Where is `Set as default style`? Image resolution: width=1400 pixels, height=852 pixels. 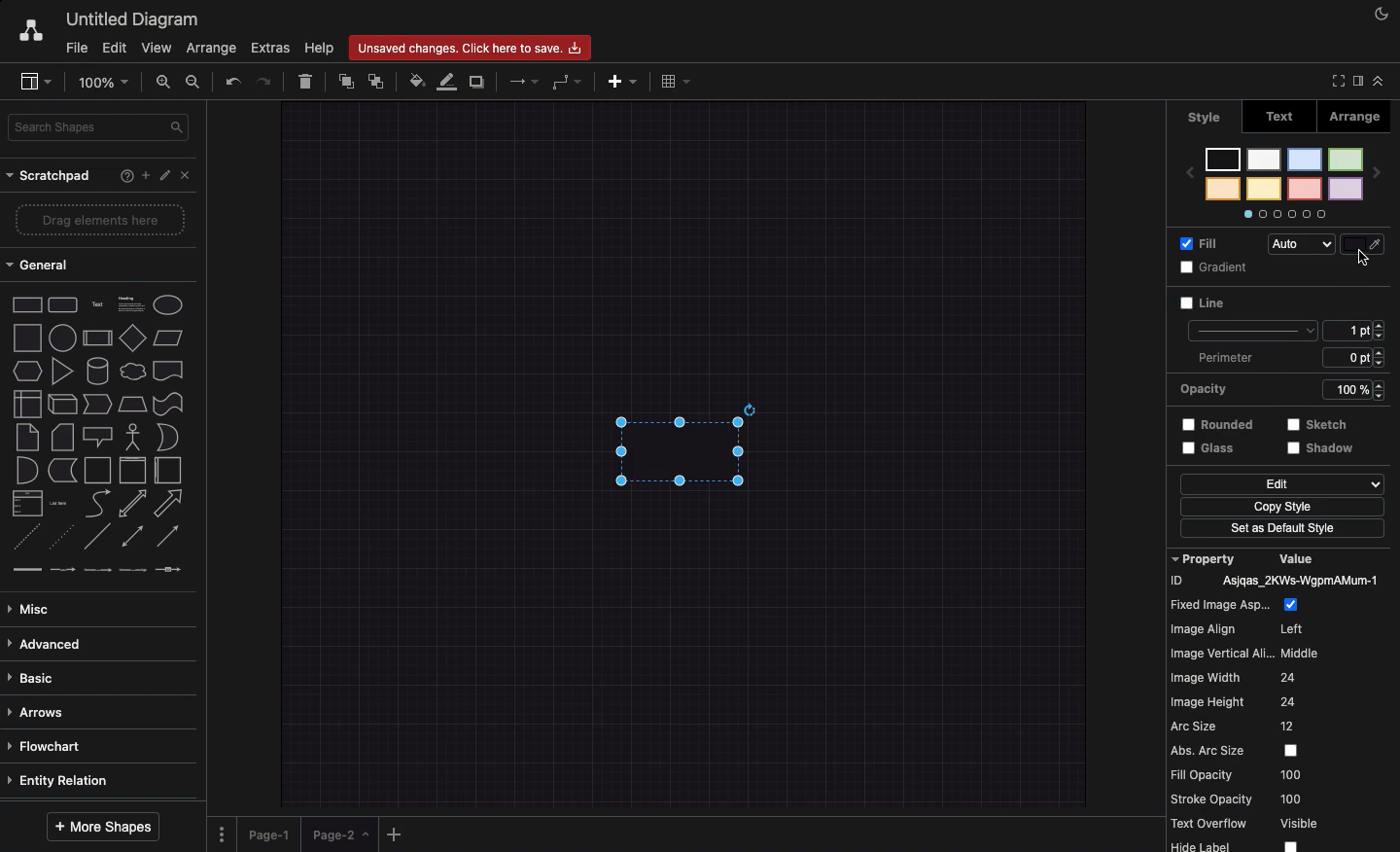 Set as default style is located at coordinates (1284, 530).